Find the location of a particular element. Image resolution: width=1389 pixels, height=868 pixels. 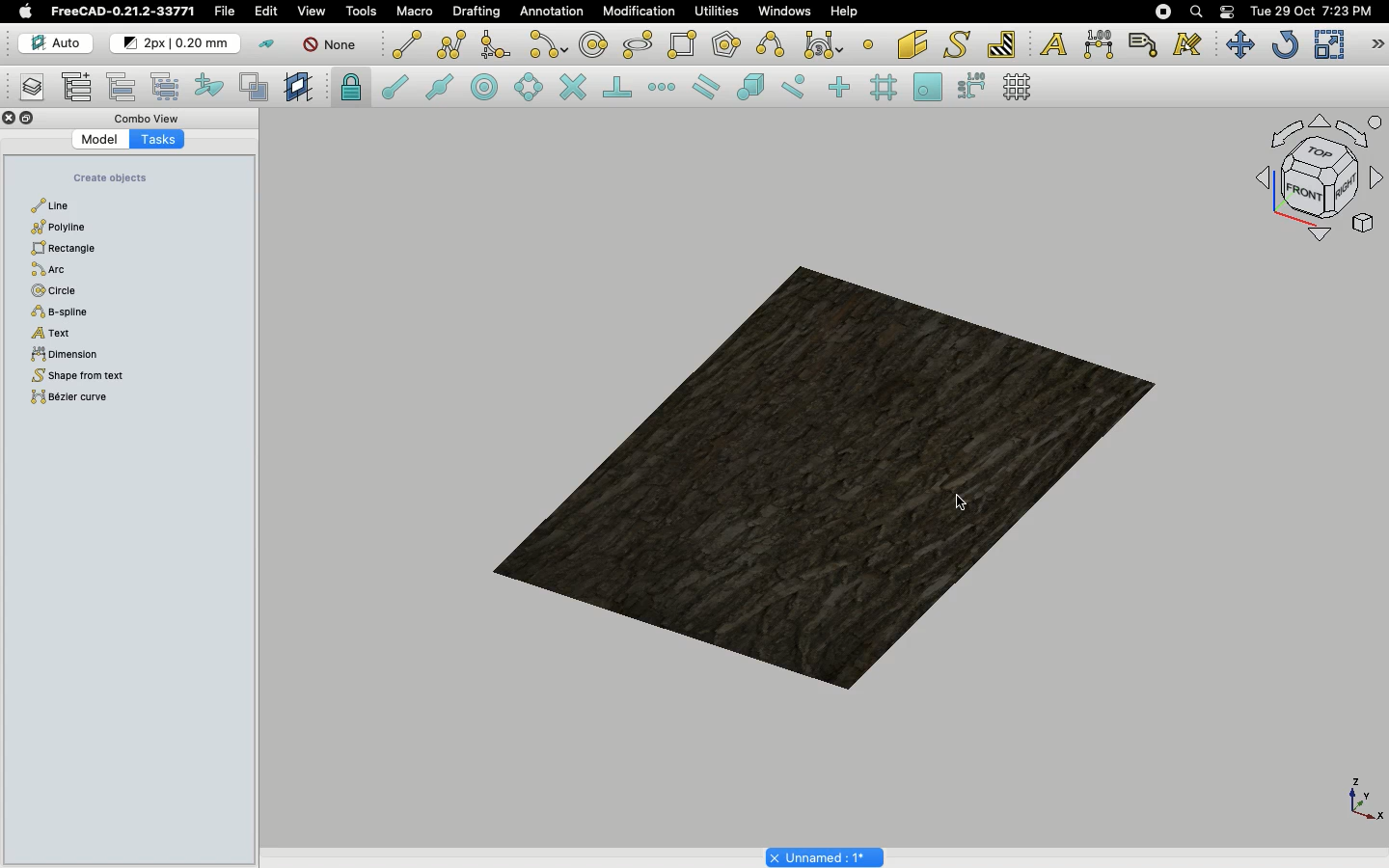

Bezier tools is located at coordinates (826, 44).